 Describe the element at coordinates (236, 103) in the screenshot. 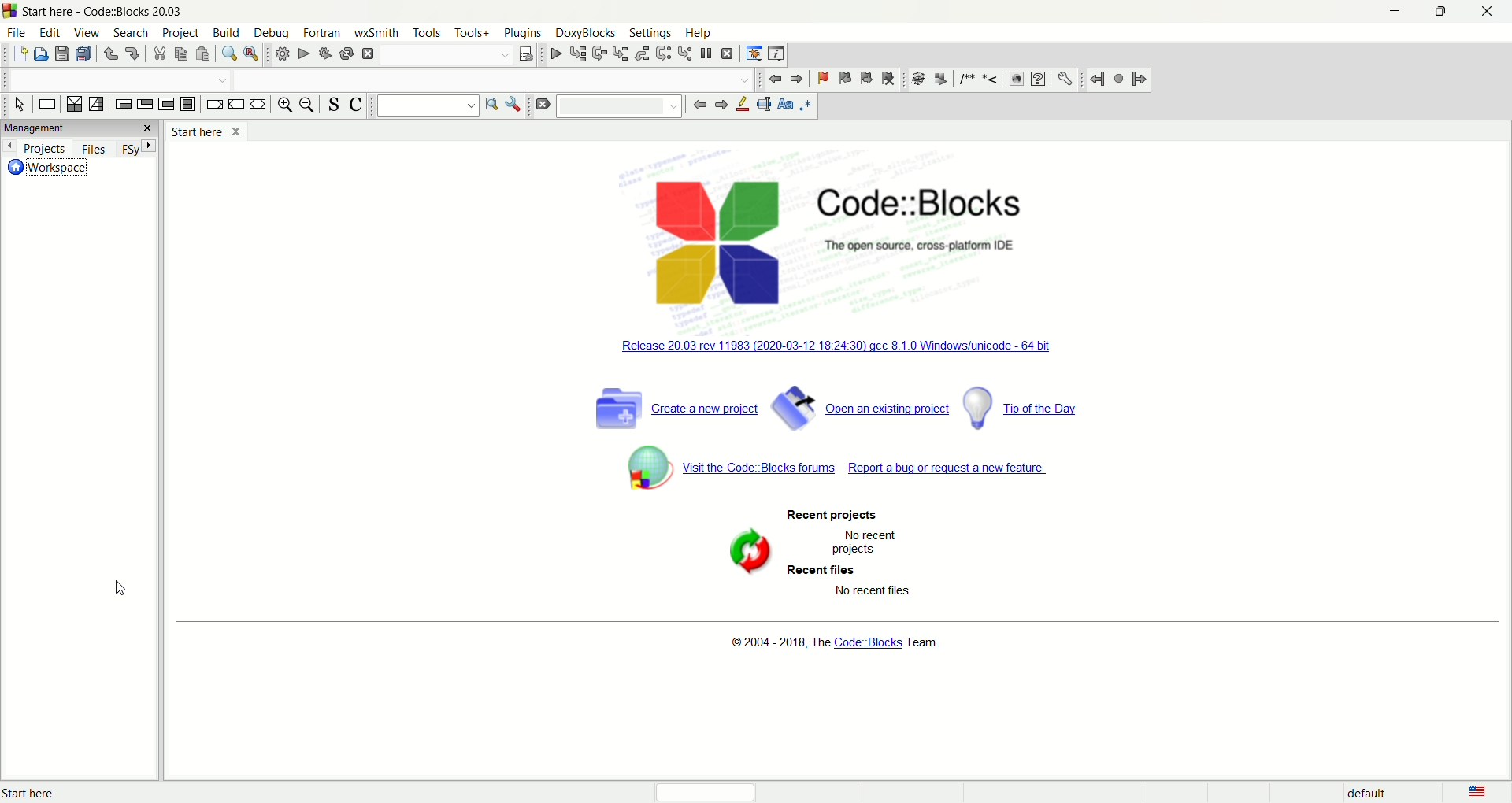

I see `continue instruction` at that location.